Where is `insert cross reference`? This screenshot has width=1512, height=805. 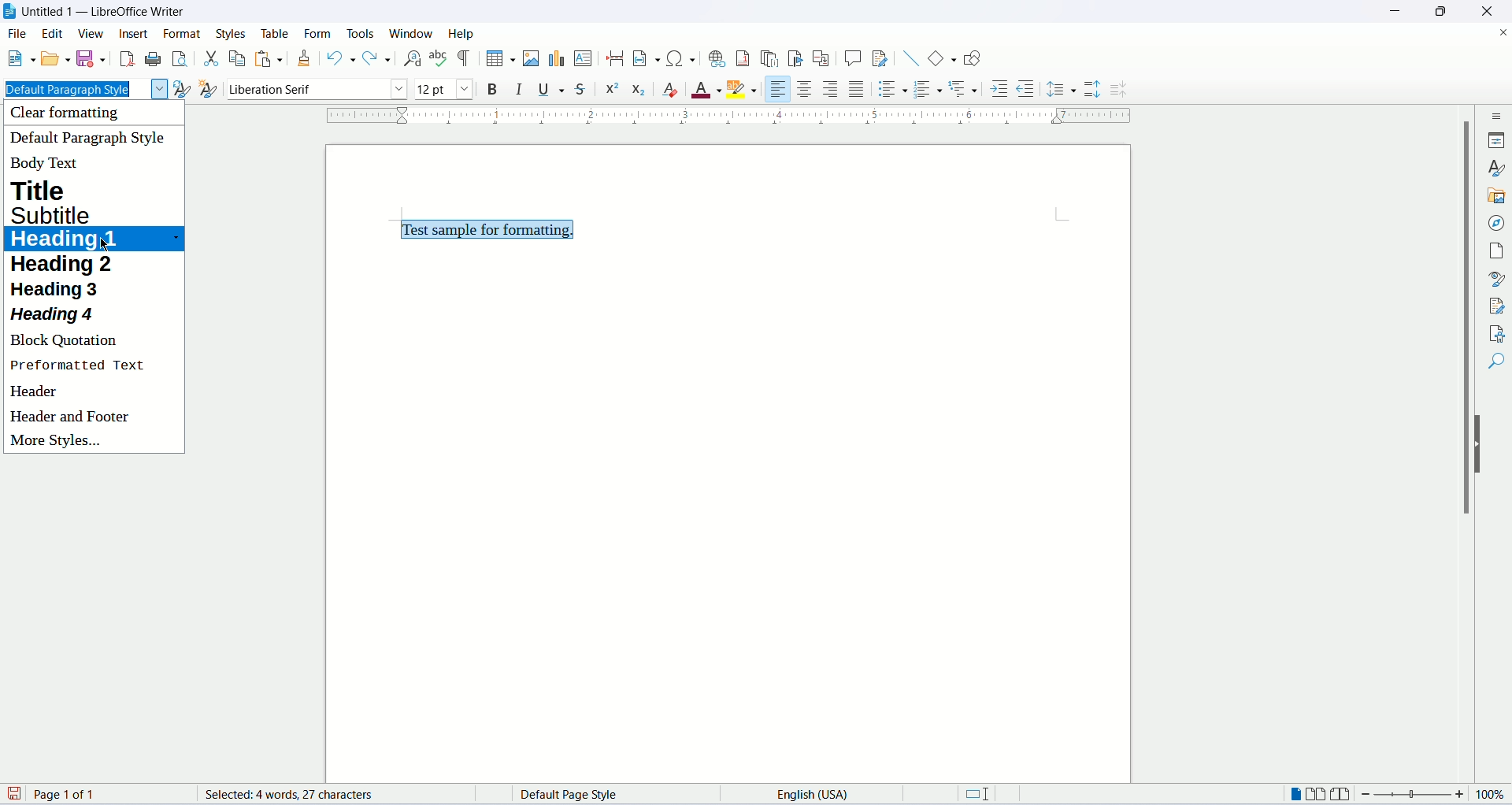 insert cross reference is located at coordinates (821, 58).